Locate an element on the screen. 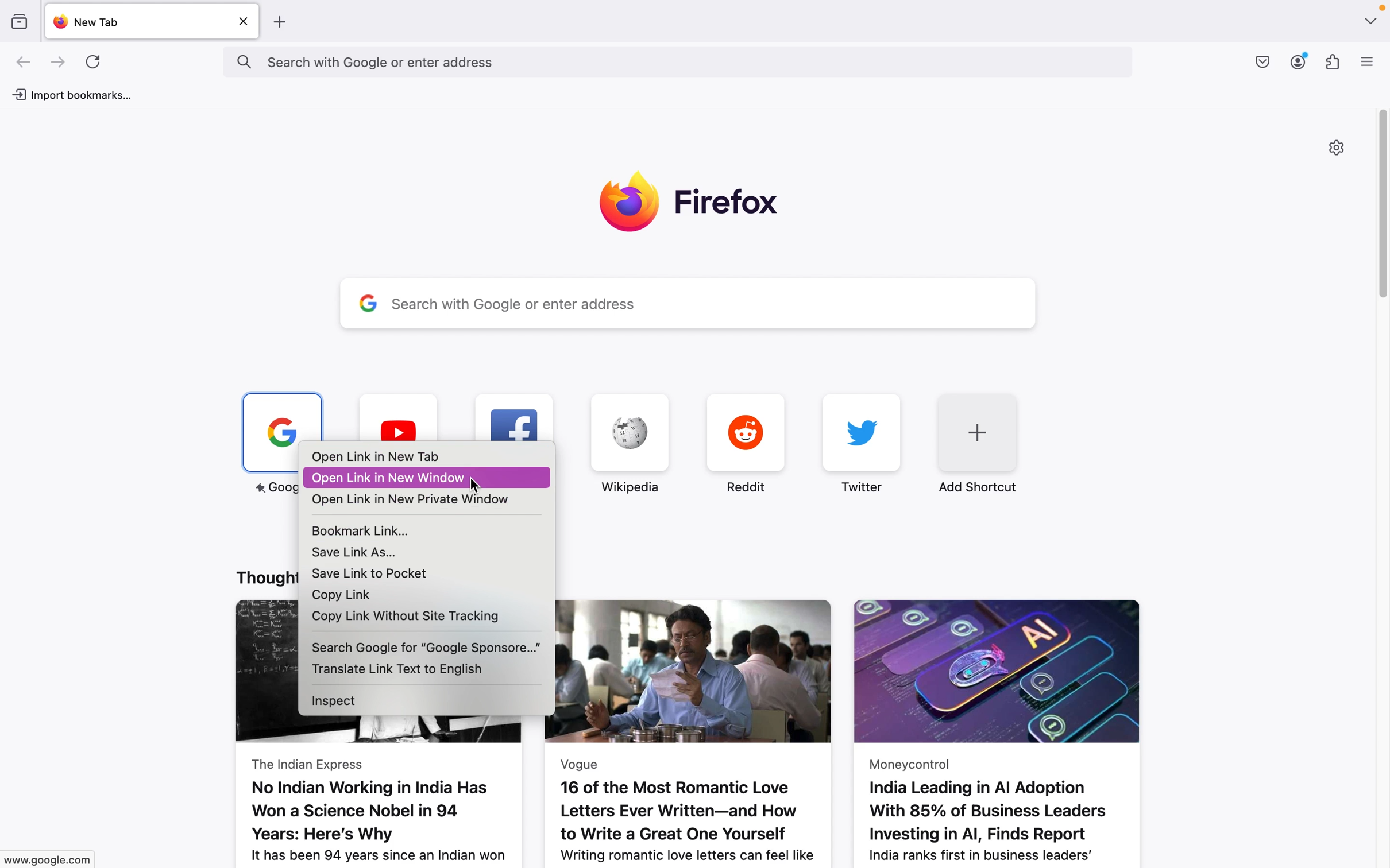 This screenshot has width=1390, height=868. menu is located at coordinates (1369, 64).